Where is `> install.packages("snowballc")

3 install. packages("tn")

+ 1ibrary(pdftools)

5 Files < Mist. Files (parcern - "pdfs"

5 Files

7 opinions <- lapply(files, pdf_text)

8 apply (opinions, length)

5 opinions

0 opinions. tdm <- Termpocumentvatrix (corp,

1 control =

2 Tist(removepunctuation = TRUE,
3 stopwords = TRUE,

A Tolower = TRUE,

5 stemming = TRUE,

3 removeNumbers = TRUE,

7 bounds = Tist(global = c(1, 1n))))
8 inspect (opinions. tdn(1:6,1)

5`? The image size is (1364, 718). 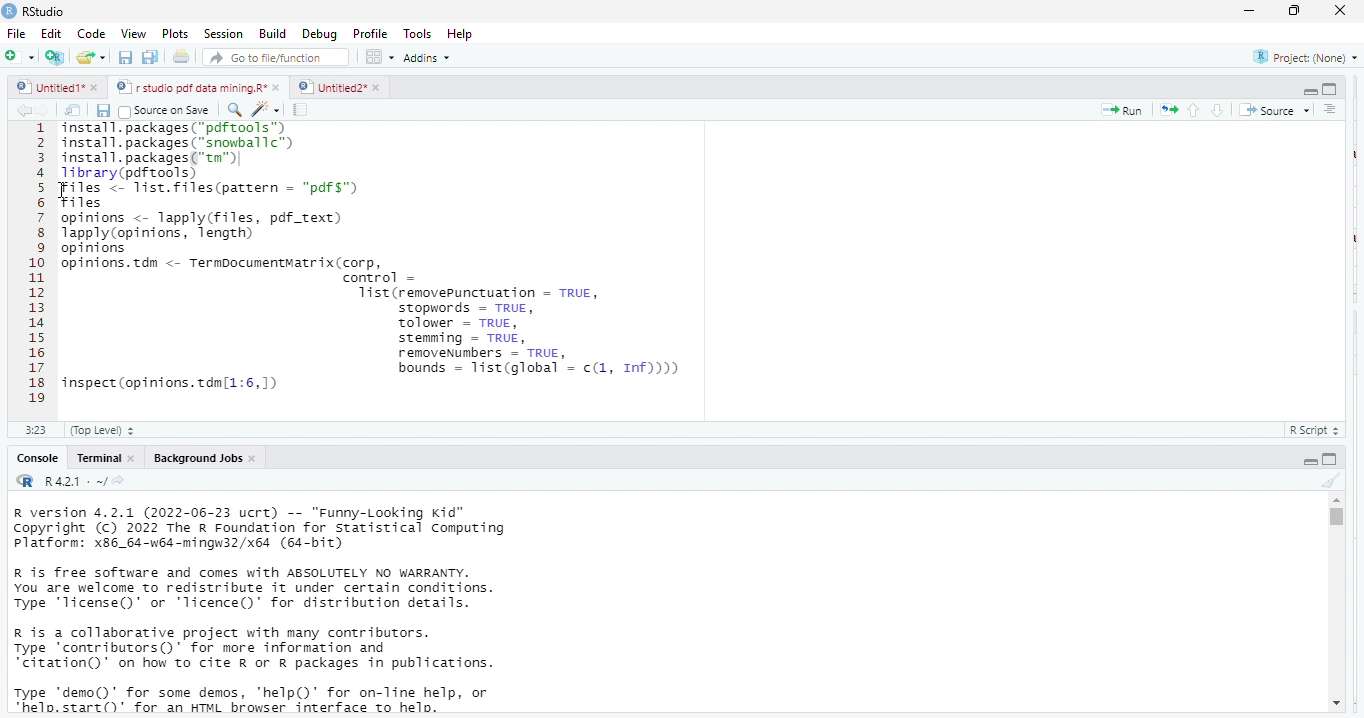 > install.packages("snowballc")

3 install. packages("tn")

+ 1ibrary(pdftools)

5 Files < Mist. Files (parcern - "pdfs"

5 Files

7 opinions <- lapply(files, pdf_text)

8 apply (opinions, length)

5 opinions

0 opinions. tdm <- Termpocumentvatrix (corp,

1 control =

2 Tist(removepunctuation = TRUE,
3 stopwords = TRUE,

A Tolower = TRUE,

5 stemming = TRUE,

3 removeNumbers = TRUE,

7 bounds = Tist(global = c(1, 1n))))
8 inspect (opinions. tdn(1:6,1)

5 is located at coordinates (434, 266).